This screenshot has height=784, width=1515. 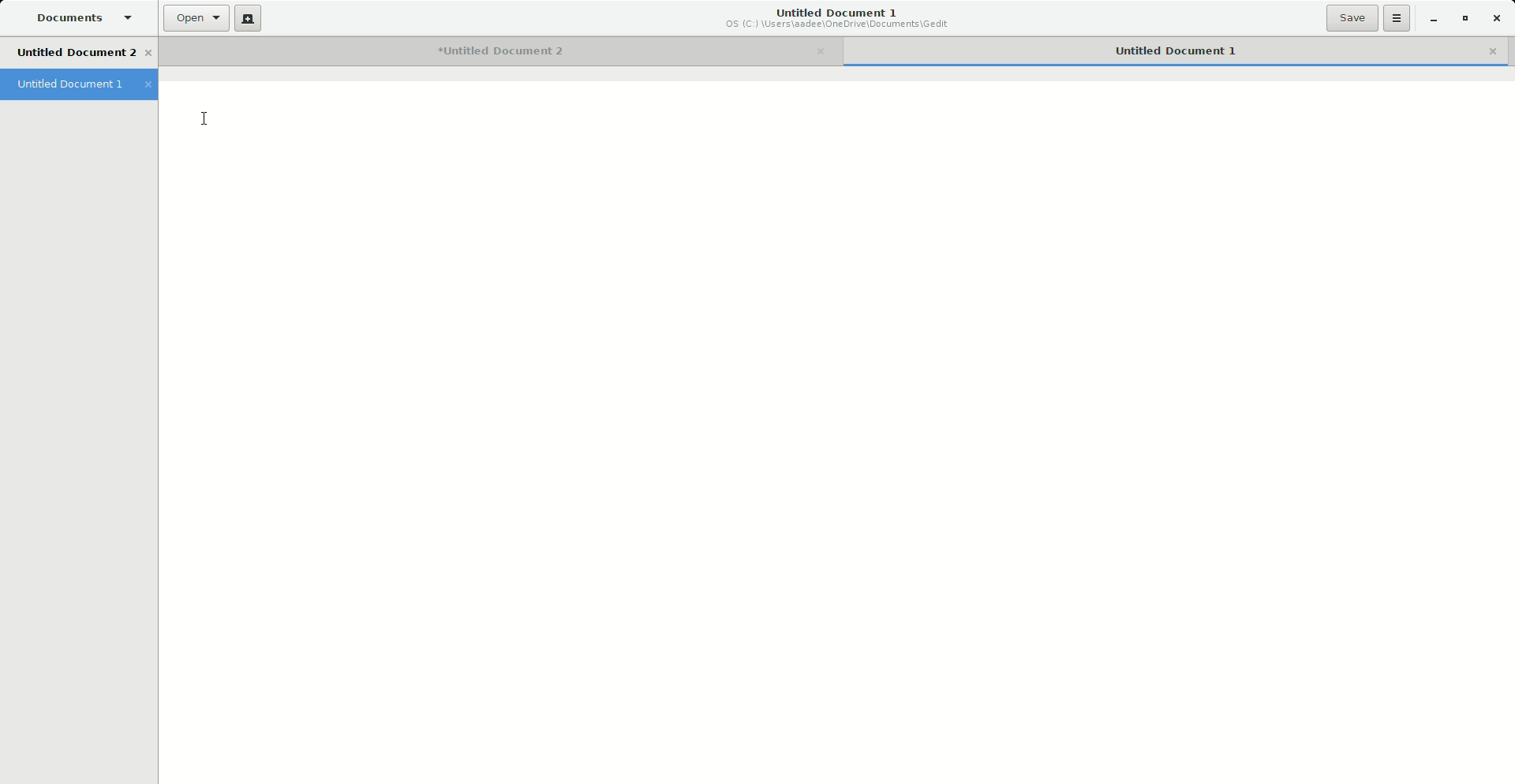 I want to click on Untitled Document 1, so click(x=78, y=83).